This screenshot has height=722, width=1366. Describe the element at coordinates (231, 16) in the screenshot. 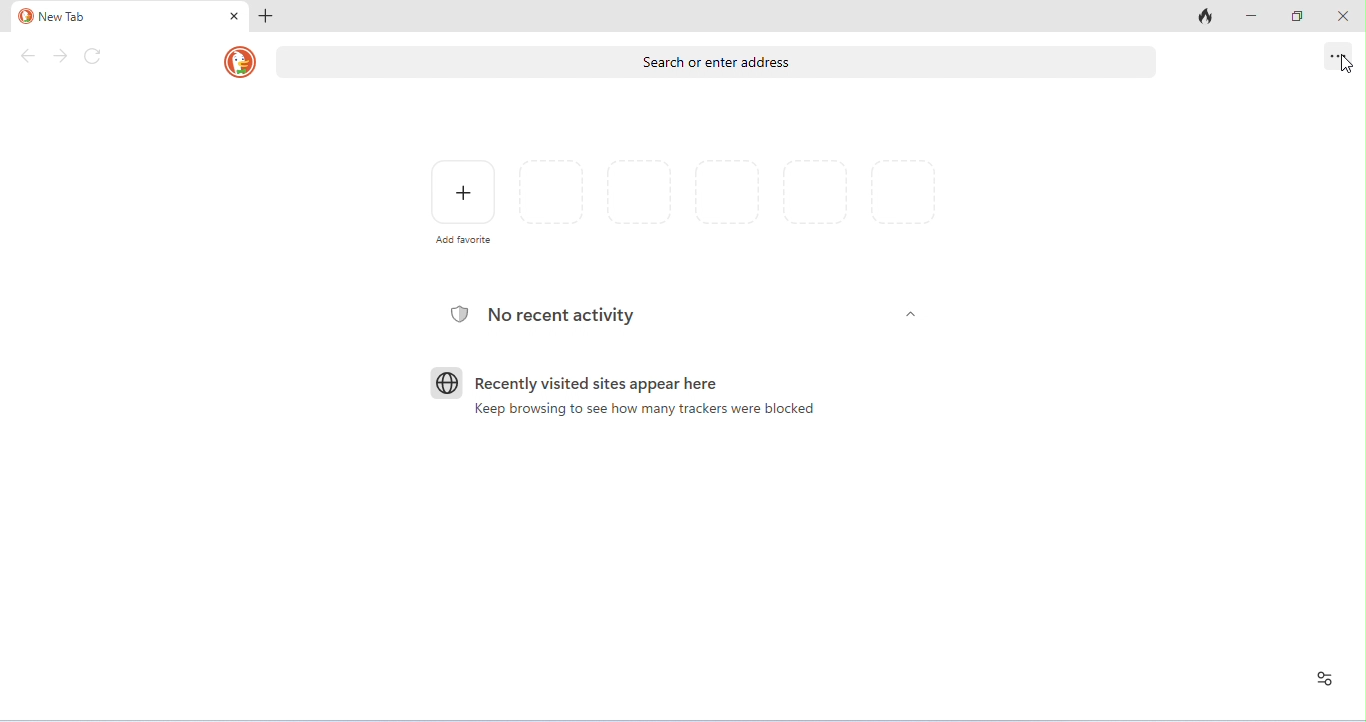

I see `close` at that location.